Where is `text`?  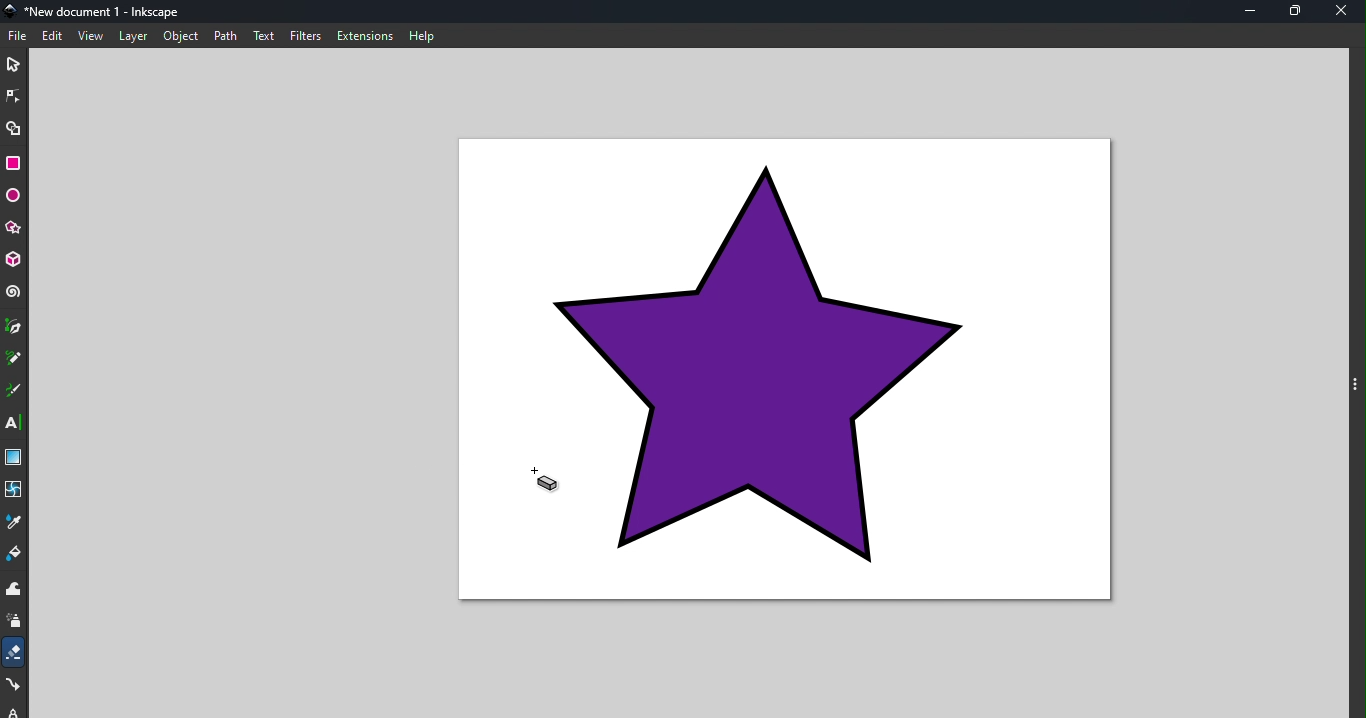 text is located at coordinates (265, 35).